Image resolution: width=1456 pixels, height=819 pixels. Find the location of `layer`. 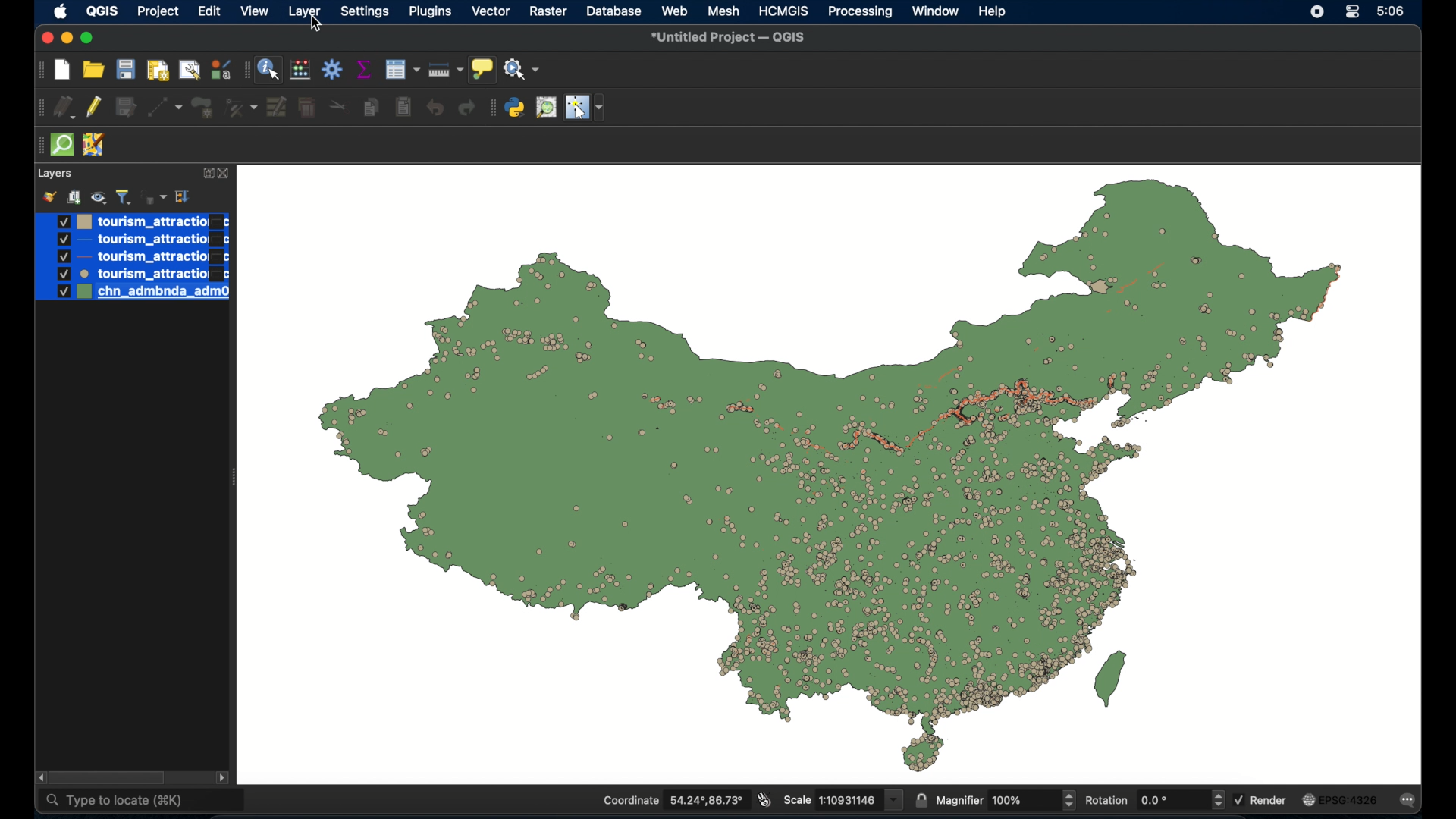

layer is located at coordinates (304, 14).